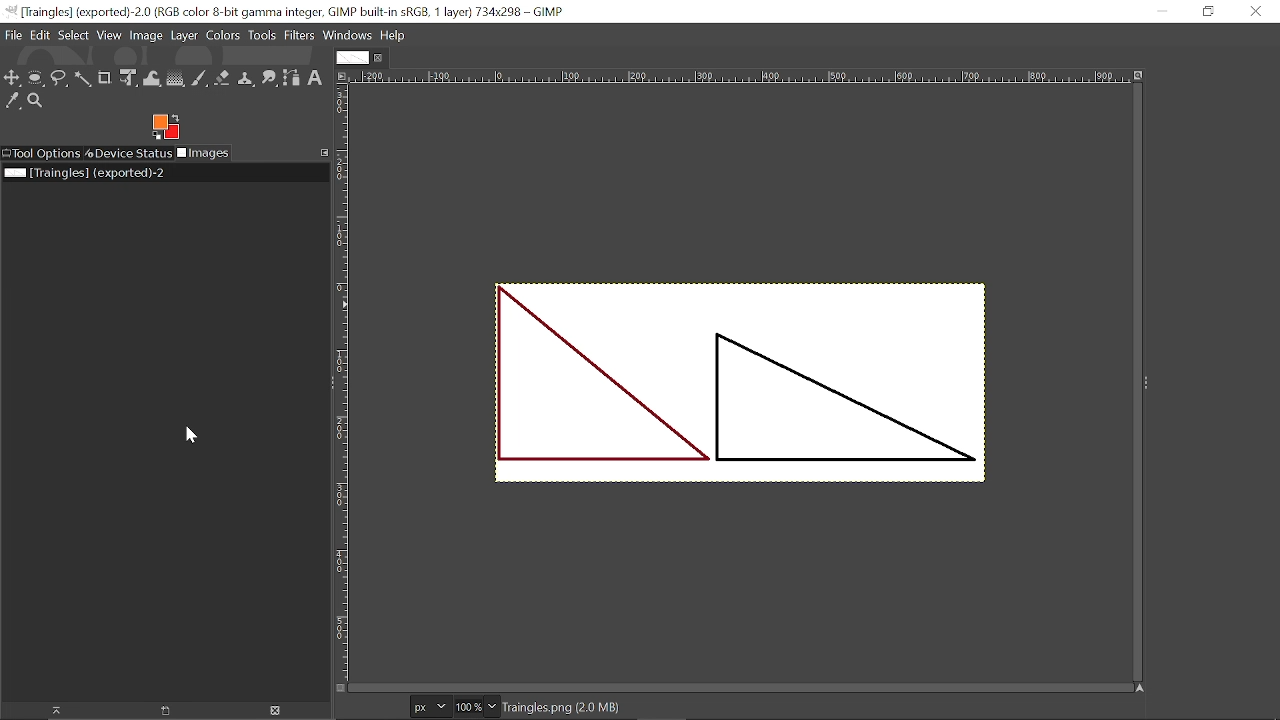 This screenshot has width=1280, height=720. I want to click on Select, so click(74, 36).